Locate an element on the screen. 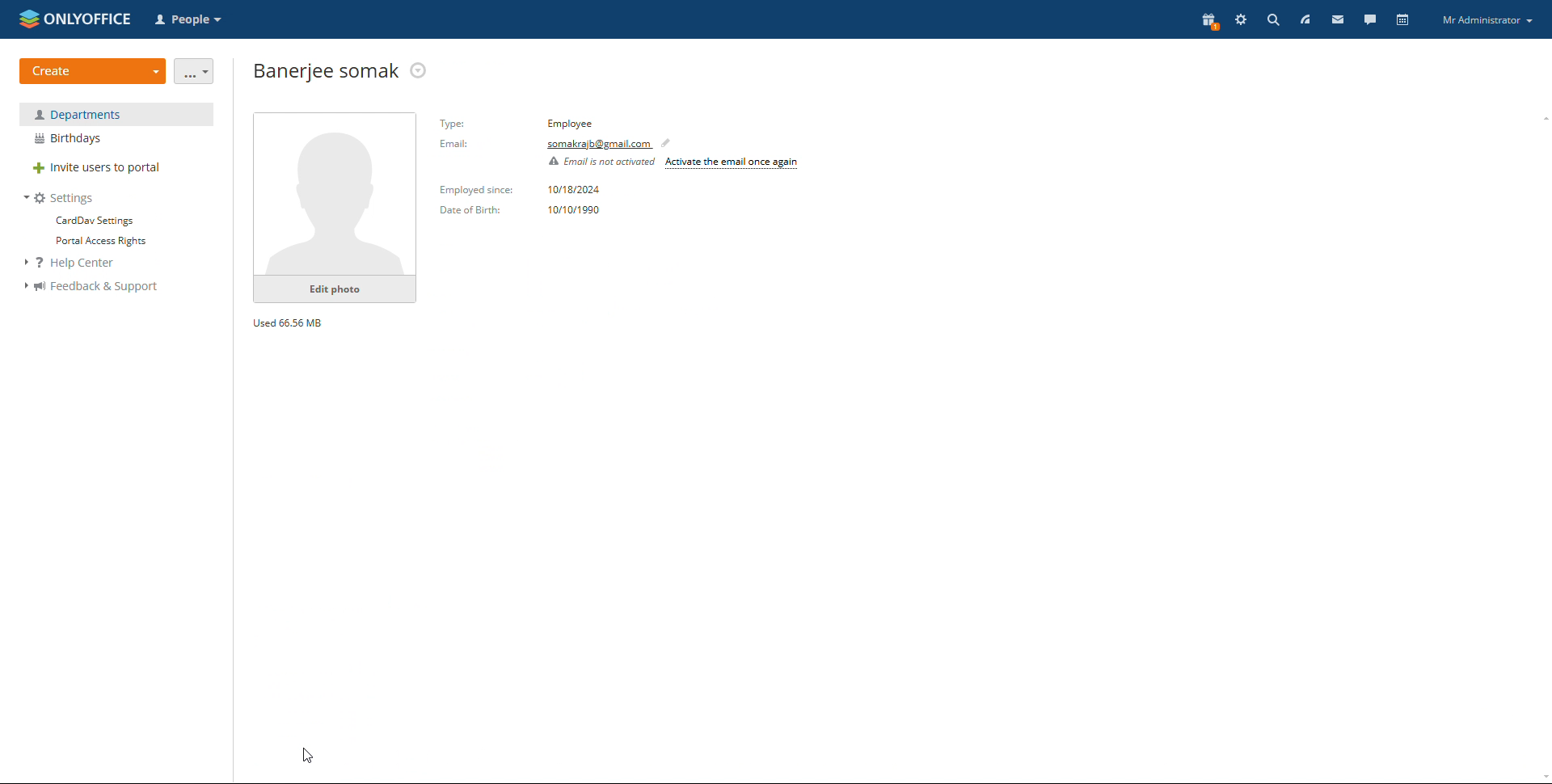 The image size is (1552, 784). profile is located at coordinates (1487, 21).